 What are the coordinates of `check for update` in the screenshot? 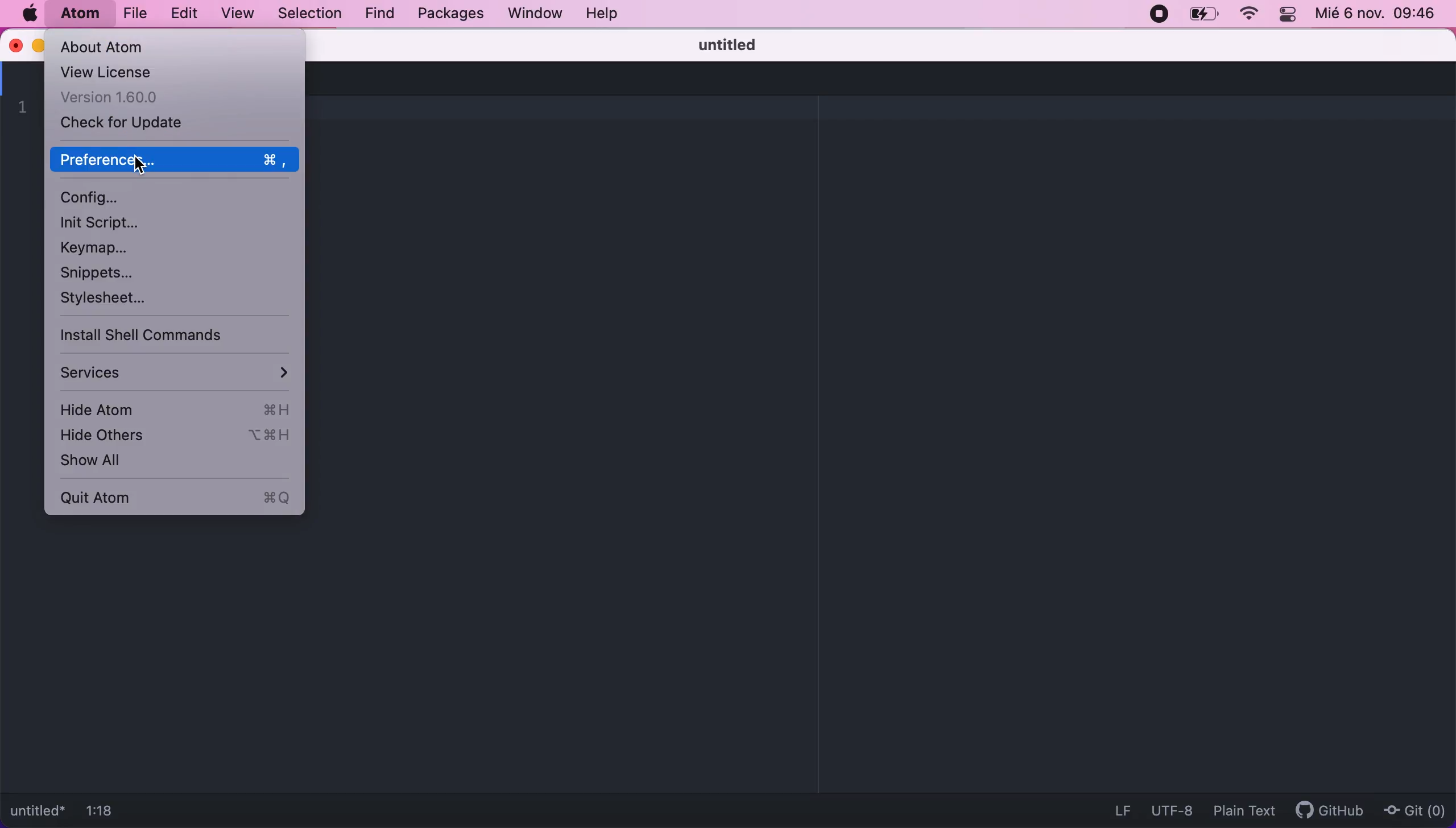 It's located at (129, 123).